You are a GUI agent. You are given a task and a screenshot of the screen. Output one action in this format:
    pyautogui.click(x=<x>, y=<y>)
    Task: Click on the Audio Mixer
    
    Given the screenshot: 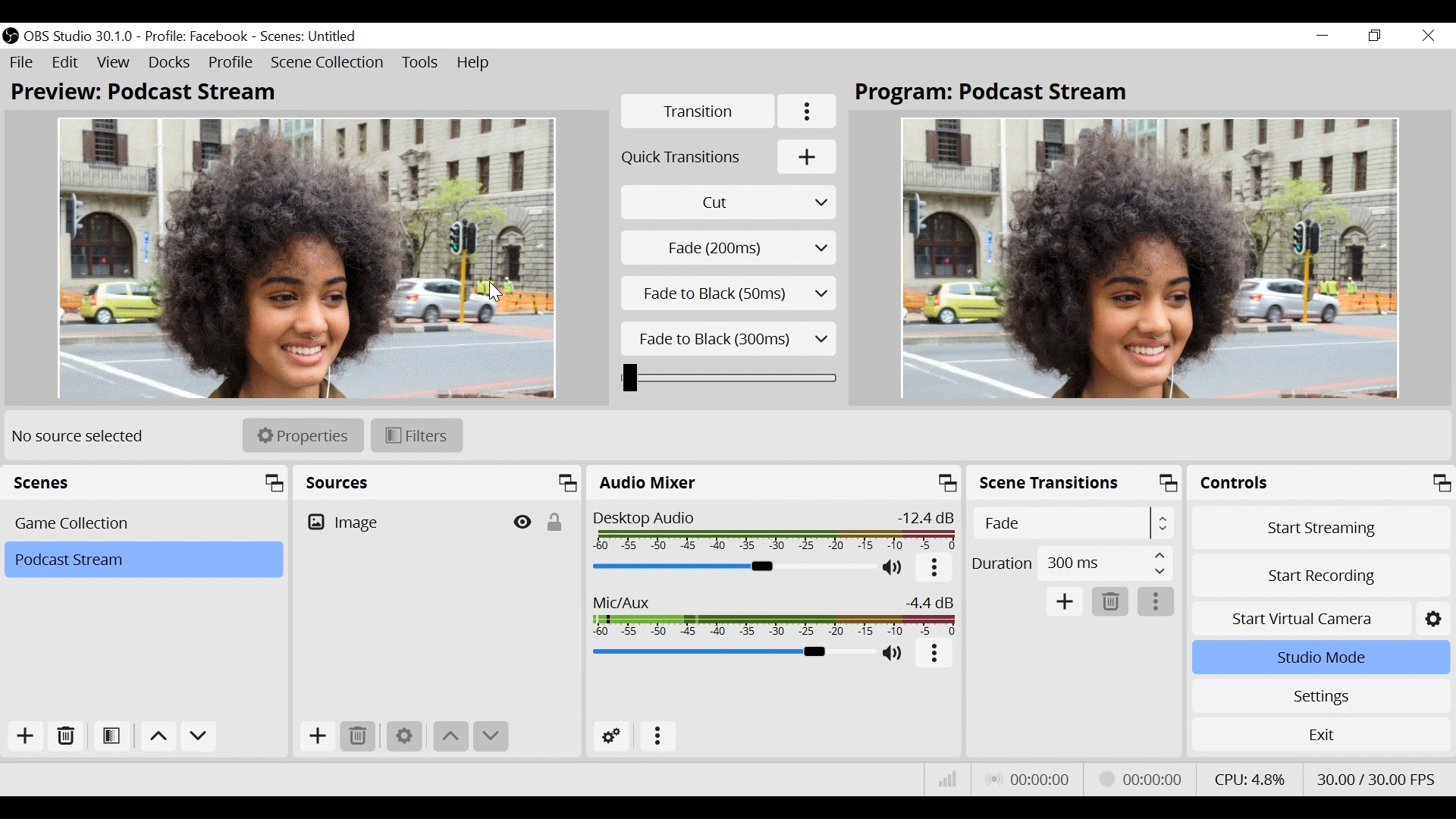 What is the action you would take?
    pyautogui.click(x=773, y=482)
    